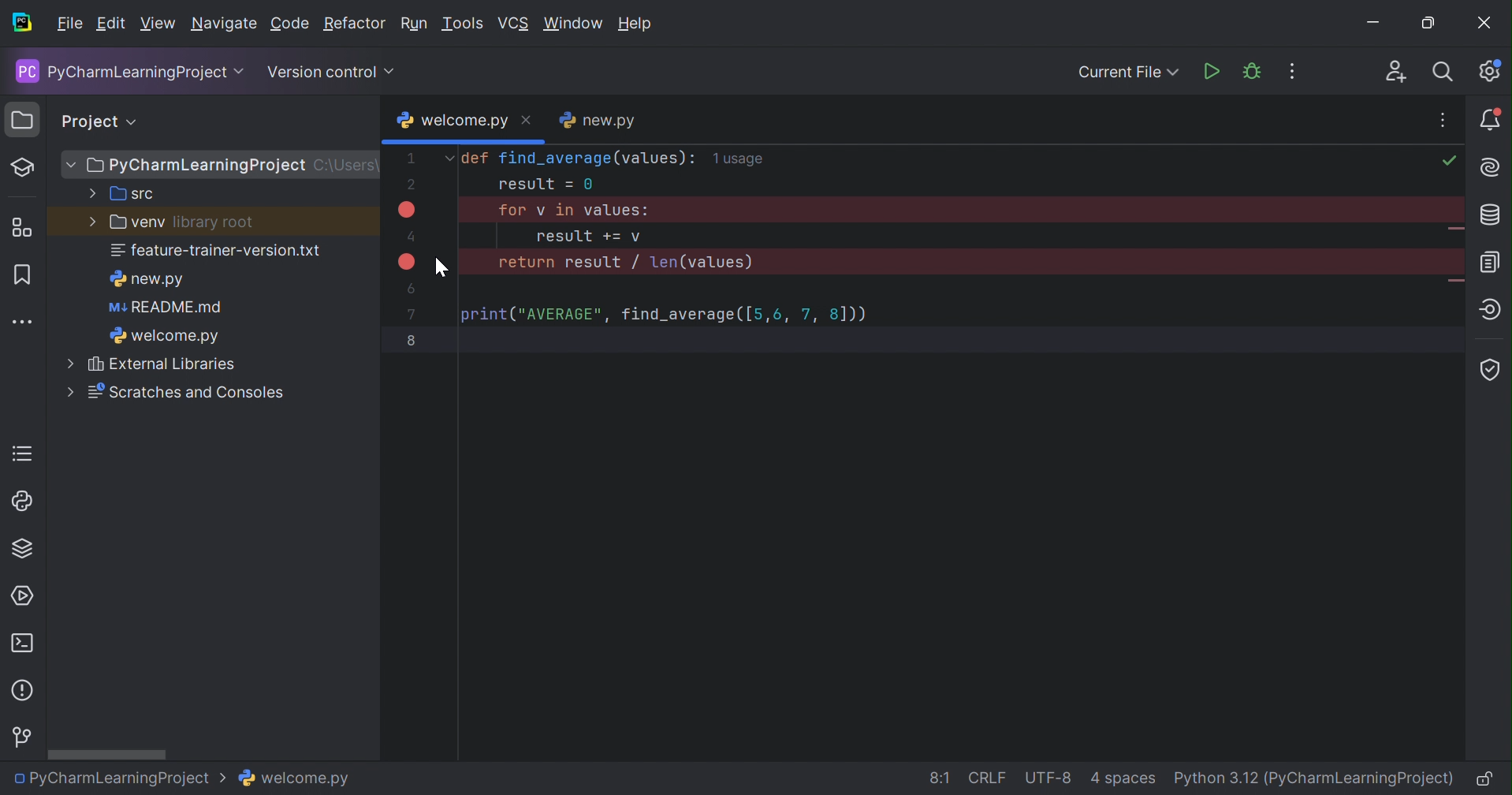  I want to click on README.md, so click(165, 308).